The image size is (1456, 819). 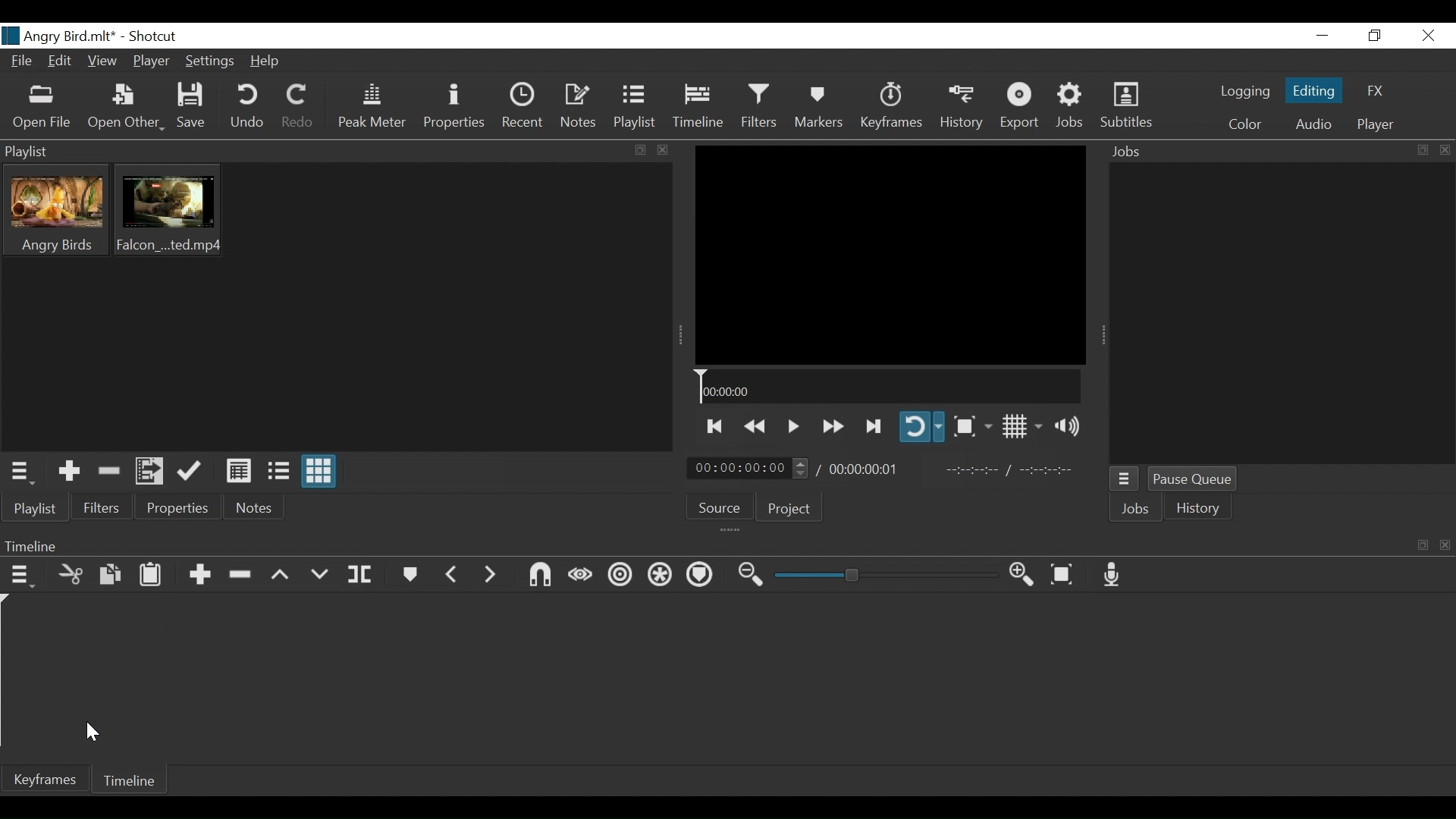 I want to click on , so click(x=453, y=107).